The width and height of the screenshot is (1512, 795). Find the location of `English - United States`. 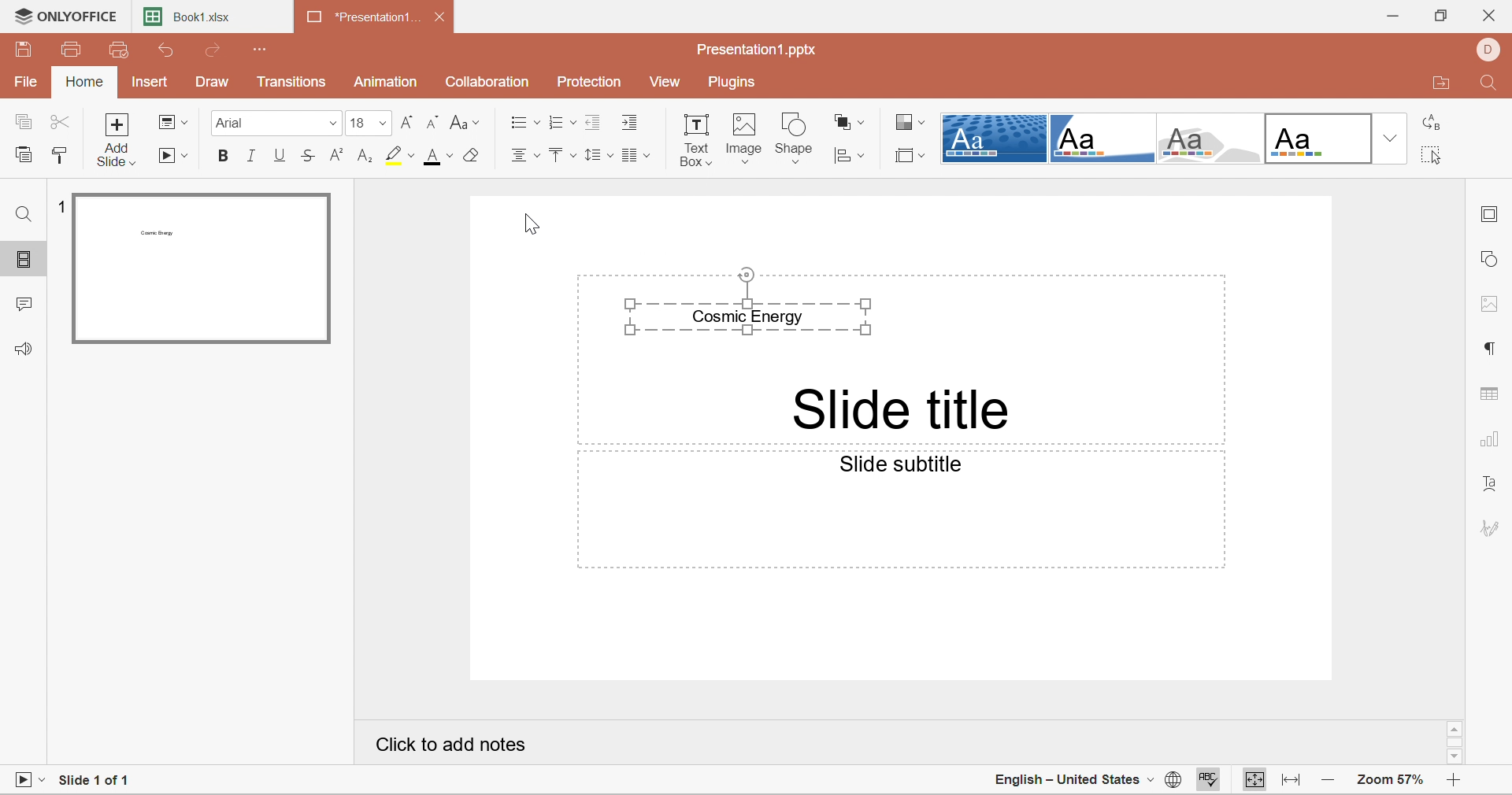

English - United States is located at coordinates (1065, 779).